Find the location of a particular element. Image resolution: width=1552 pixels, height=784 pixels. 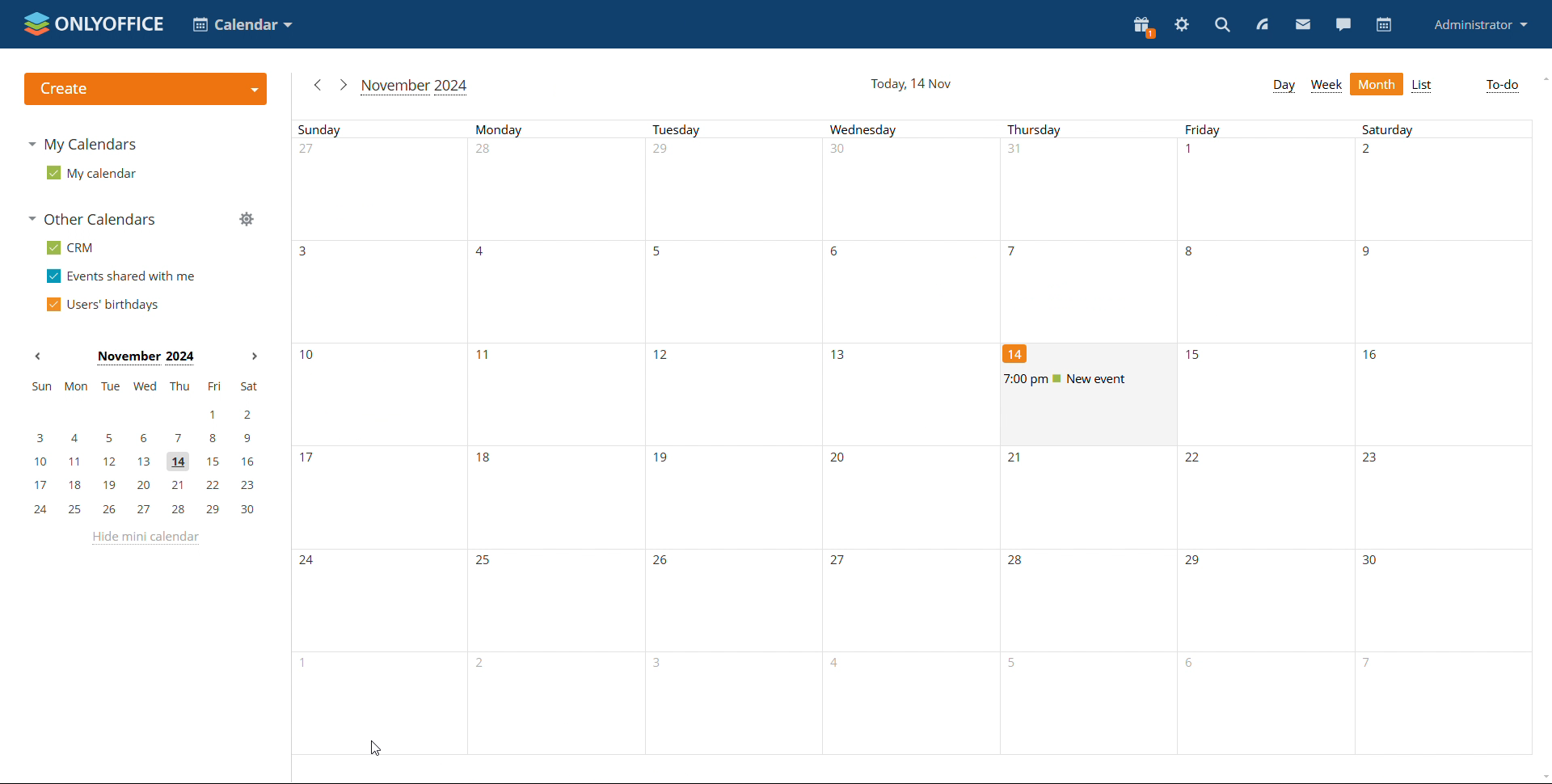

number is located at coordinates (1195, 356).